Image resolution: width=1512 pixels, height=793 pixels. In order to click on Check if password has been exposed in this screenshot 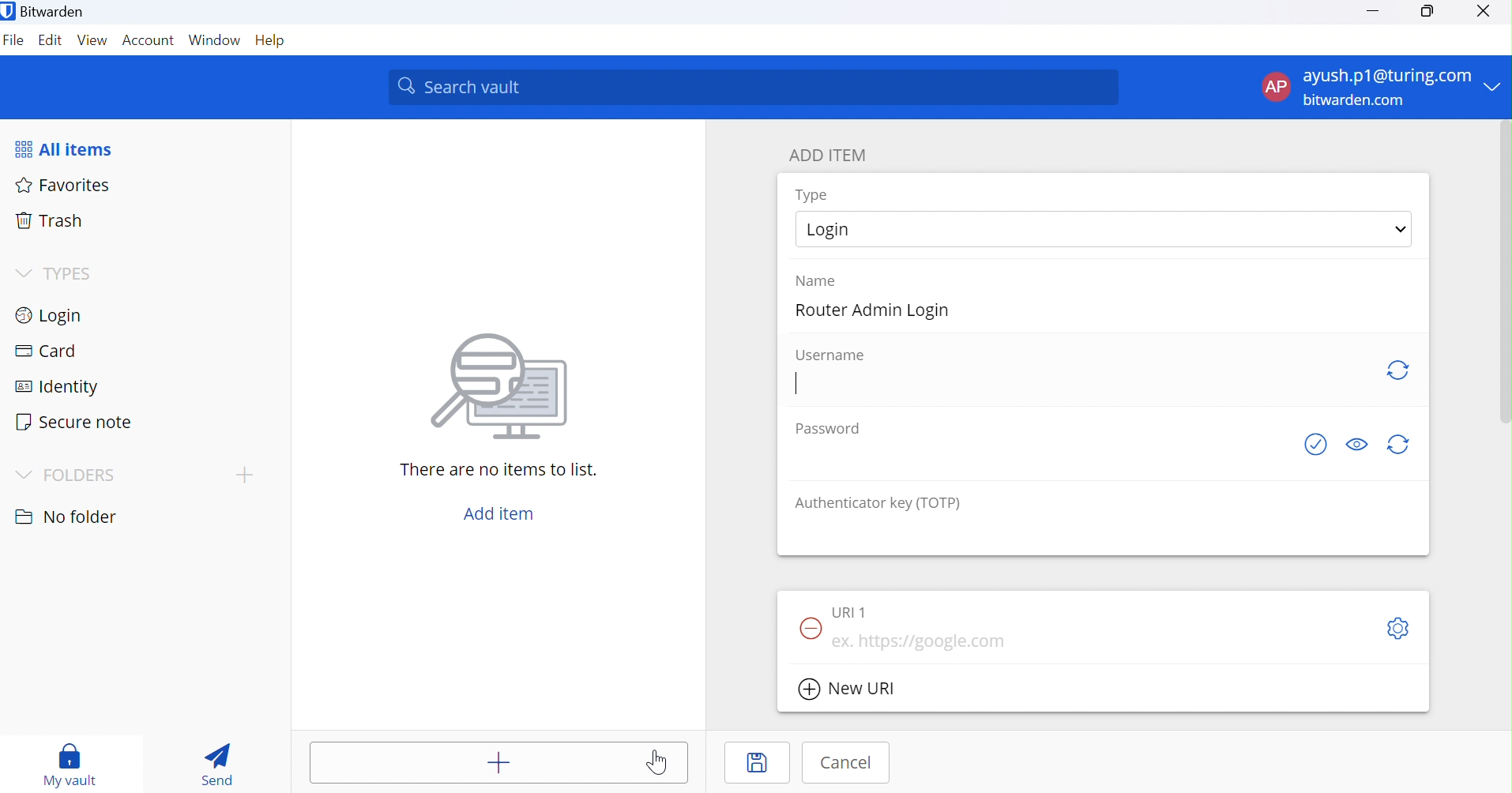, I will do `click(1309, 445)`.